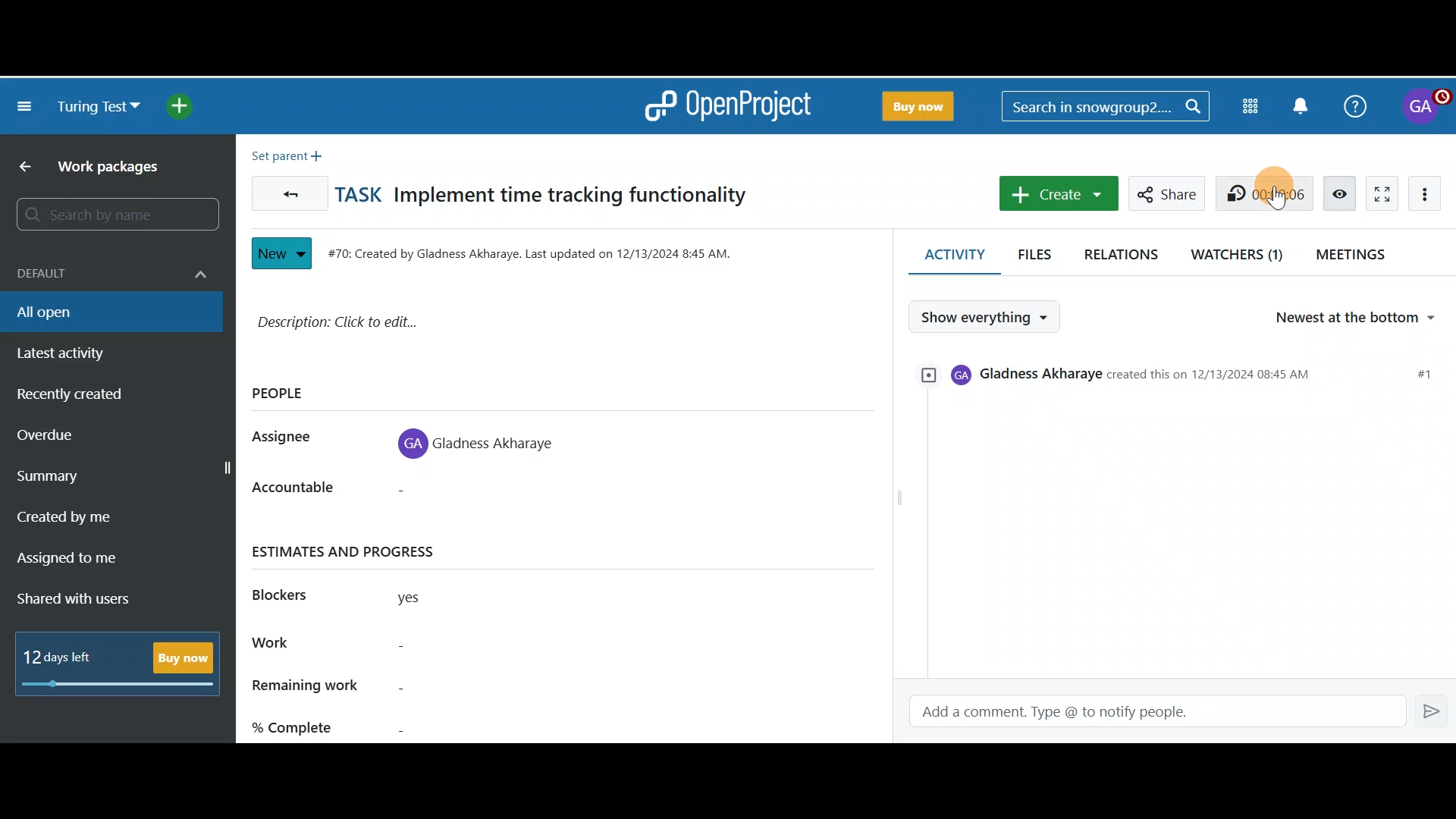 Image resolution: width=1456 pixels, height=819 pixels. What do you see at coordinates (290, 438) in the screenshot?
I see `Assignee` at bounding box center [290, 438].